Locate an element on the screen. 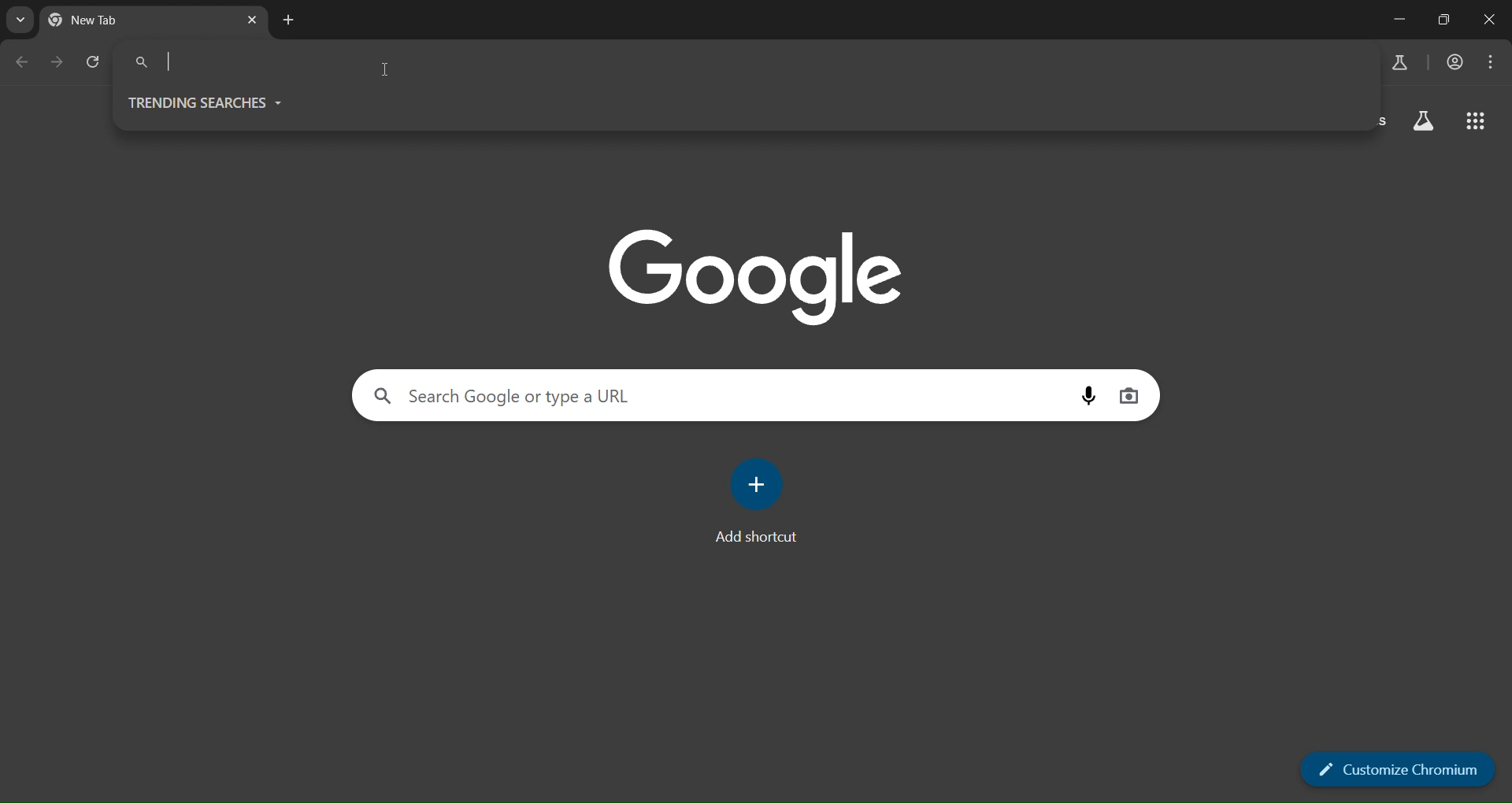  trending searches is located at coordinates (209, 102).